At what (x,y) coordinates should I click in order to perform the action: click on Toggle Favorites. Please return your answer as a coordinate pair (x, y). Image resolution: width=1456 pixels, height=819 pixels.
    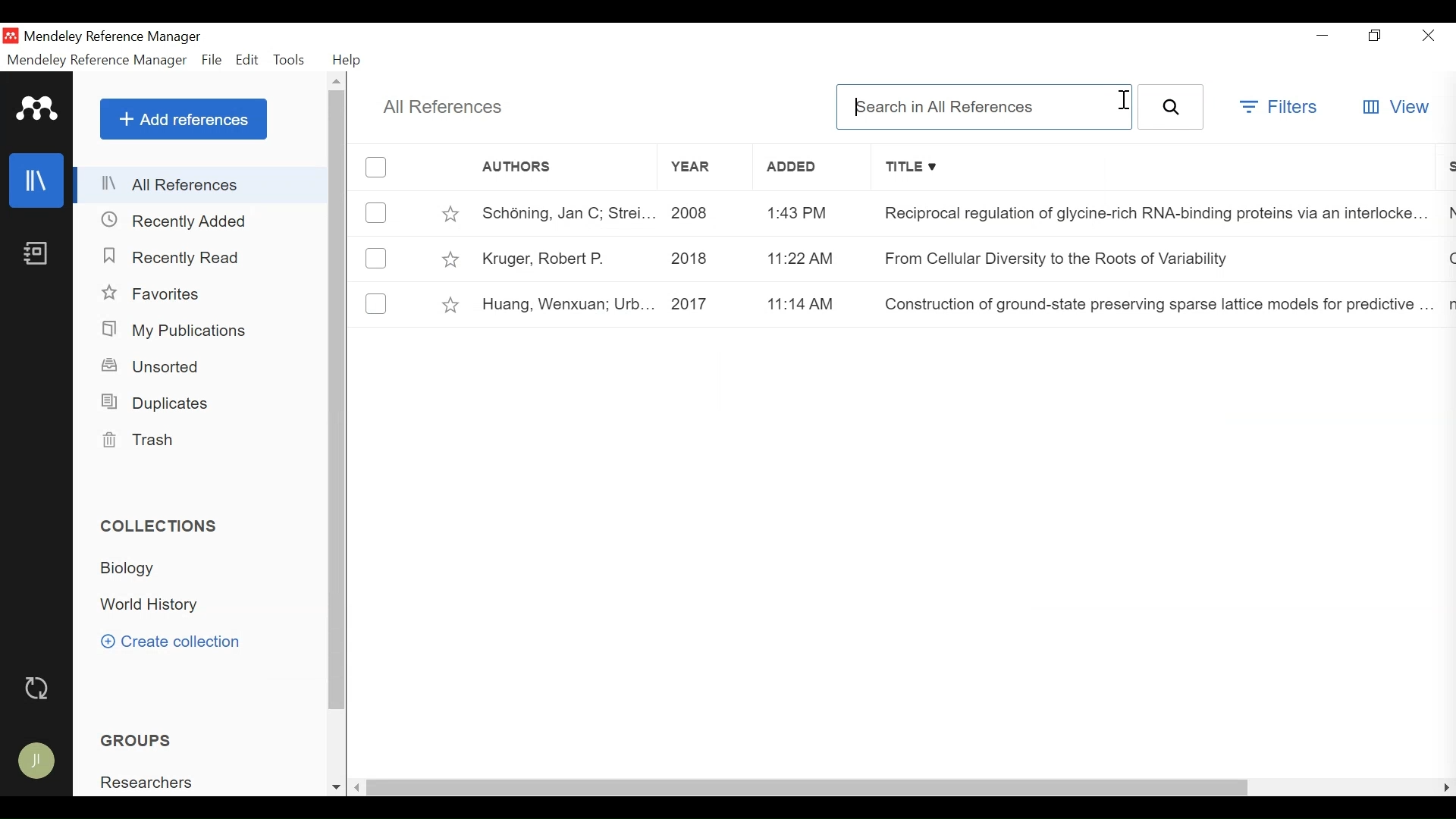
    Looking at the image, I should click on (452, 305).